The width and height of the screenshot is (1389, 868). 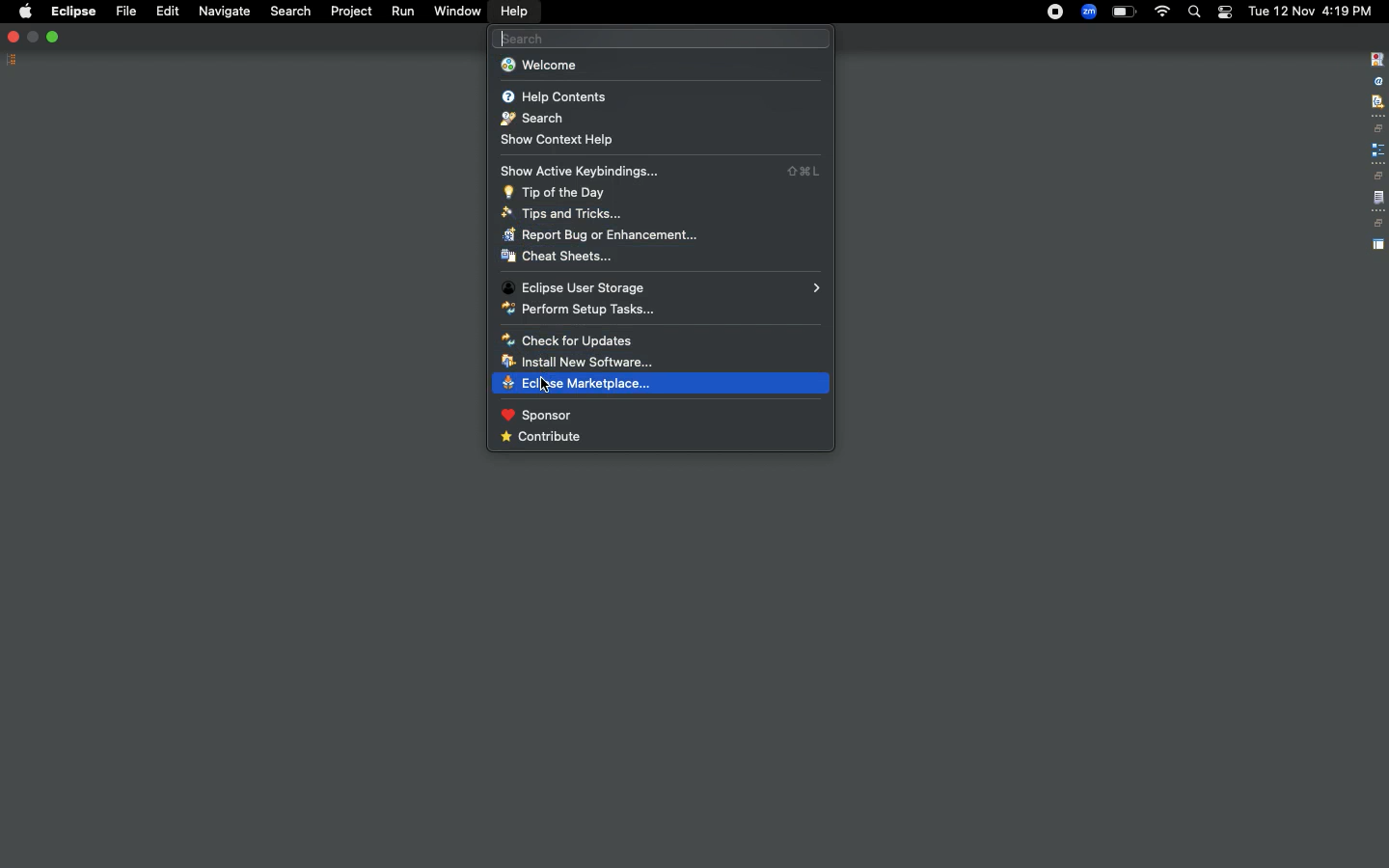 What do you see at coordinates (539, 67) in the screenshot?
I see `Welcome` at bounding box center [539, 67].